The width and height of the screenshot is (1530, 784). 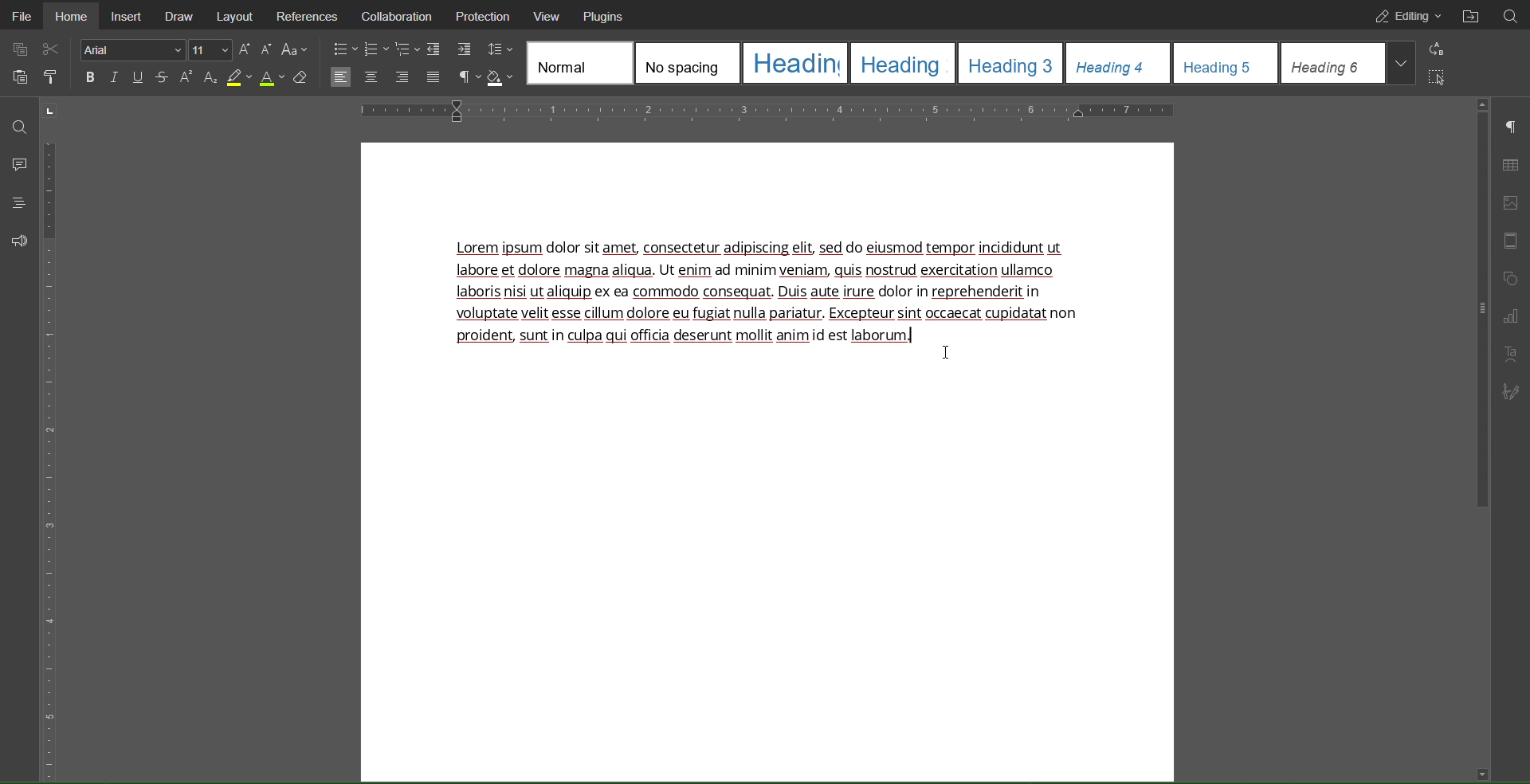 I want to click on Search, so click(x=1511, y=15).